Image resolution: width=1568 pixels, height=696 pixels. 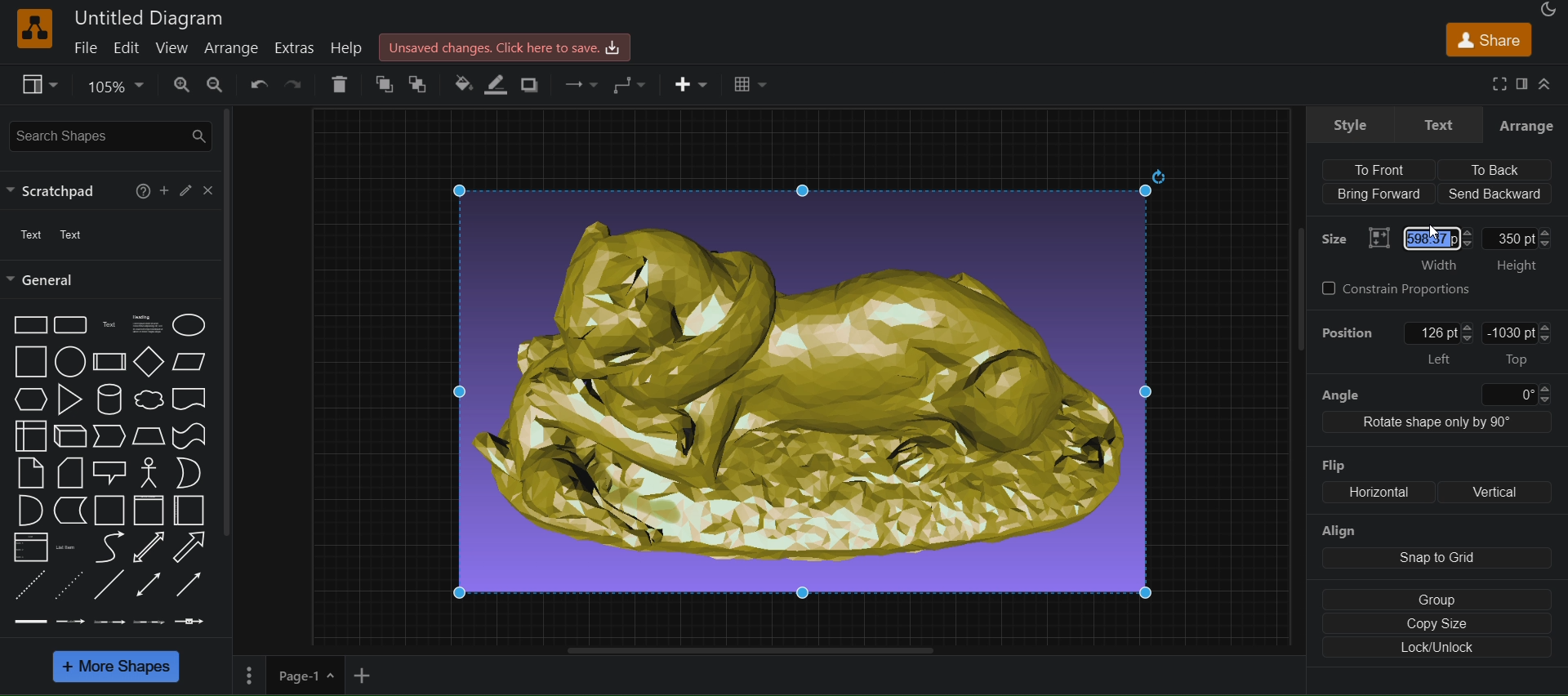 I want to click on help, so click(x=350, y=47).